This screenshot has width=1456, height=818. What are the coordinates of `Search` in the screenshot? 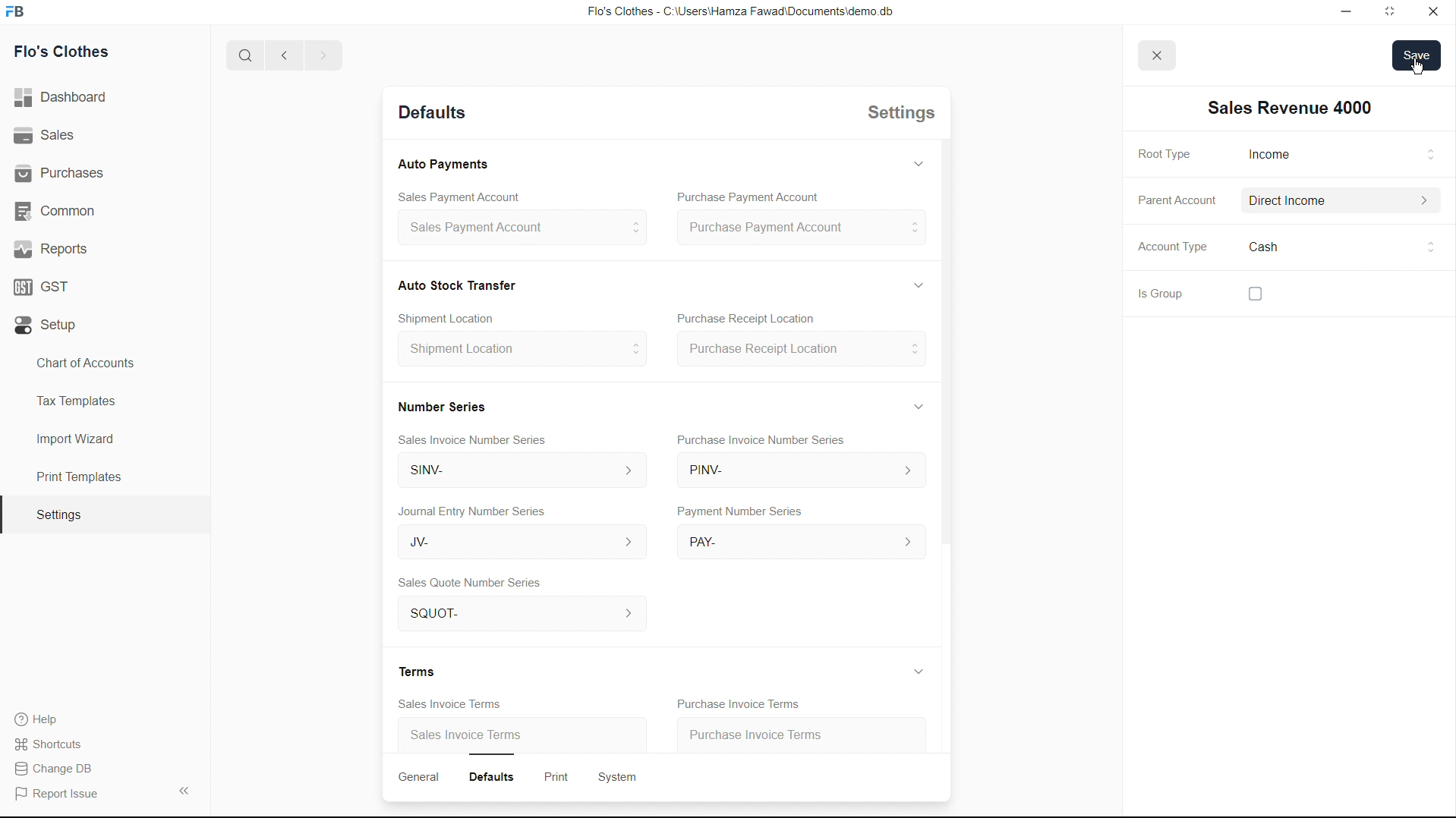 It's located at (240, 55).